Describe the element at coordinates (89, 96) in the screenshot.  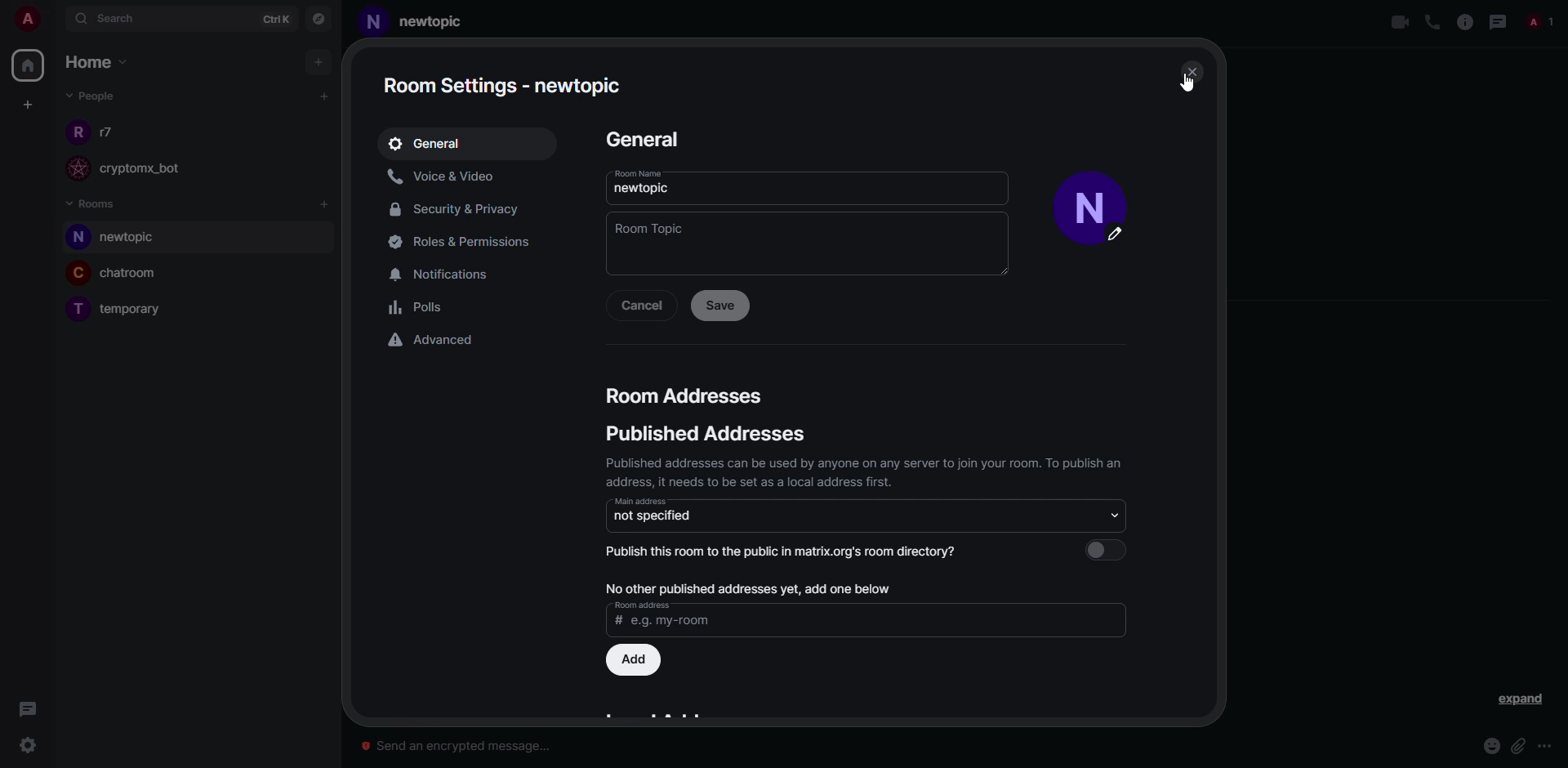
I see `people` at that location.